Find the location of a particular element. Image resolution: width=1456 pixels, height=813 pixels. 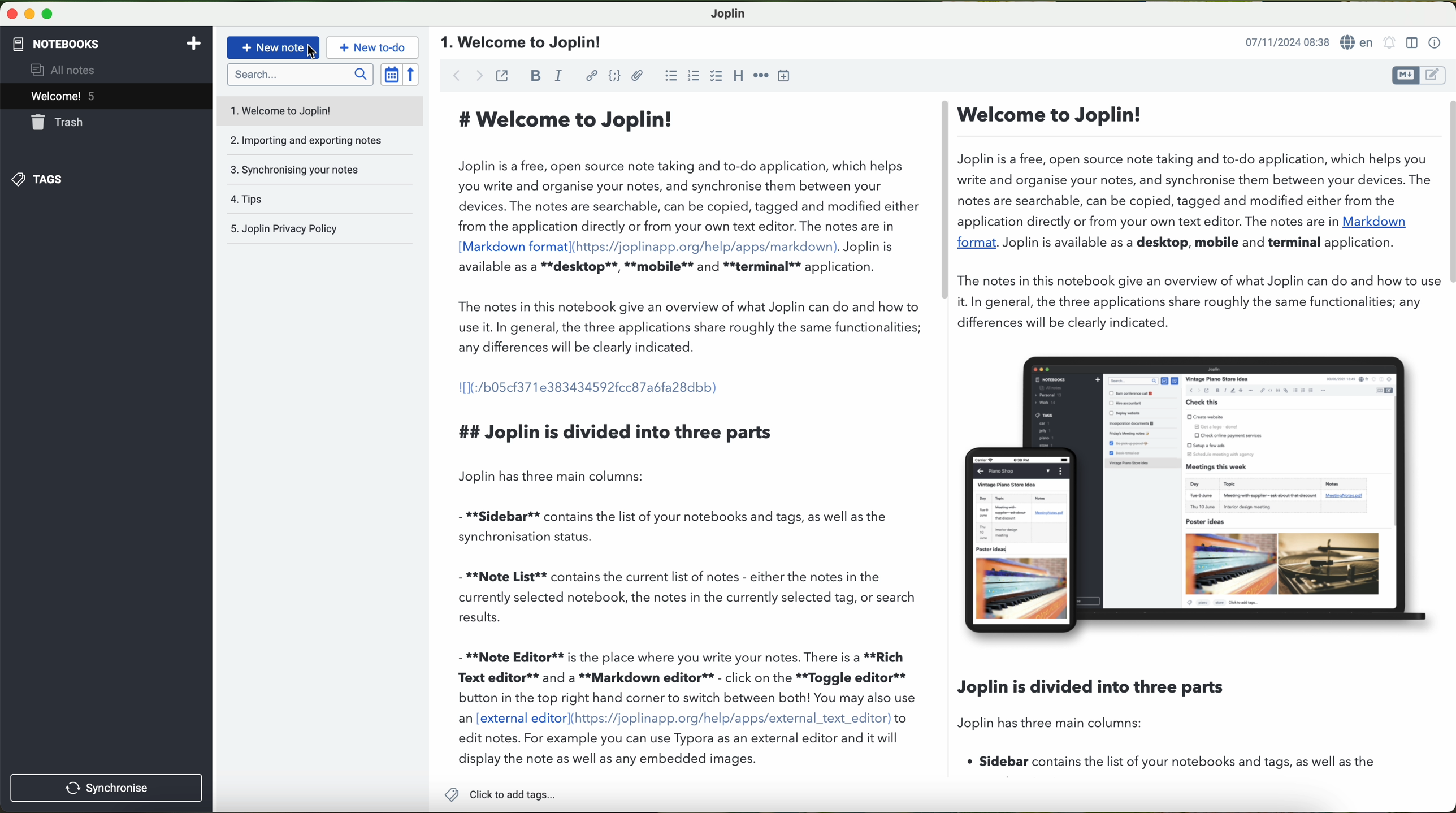

close is located at coordinates (9, 12).